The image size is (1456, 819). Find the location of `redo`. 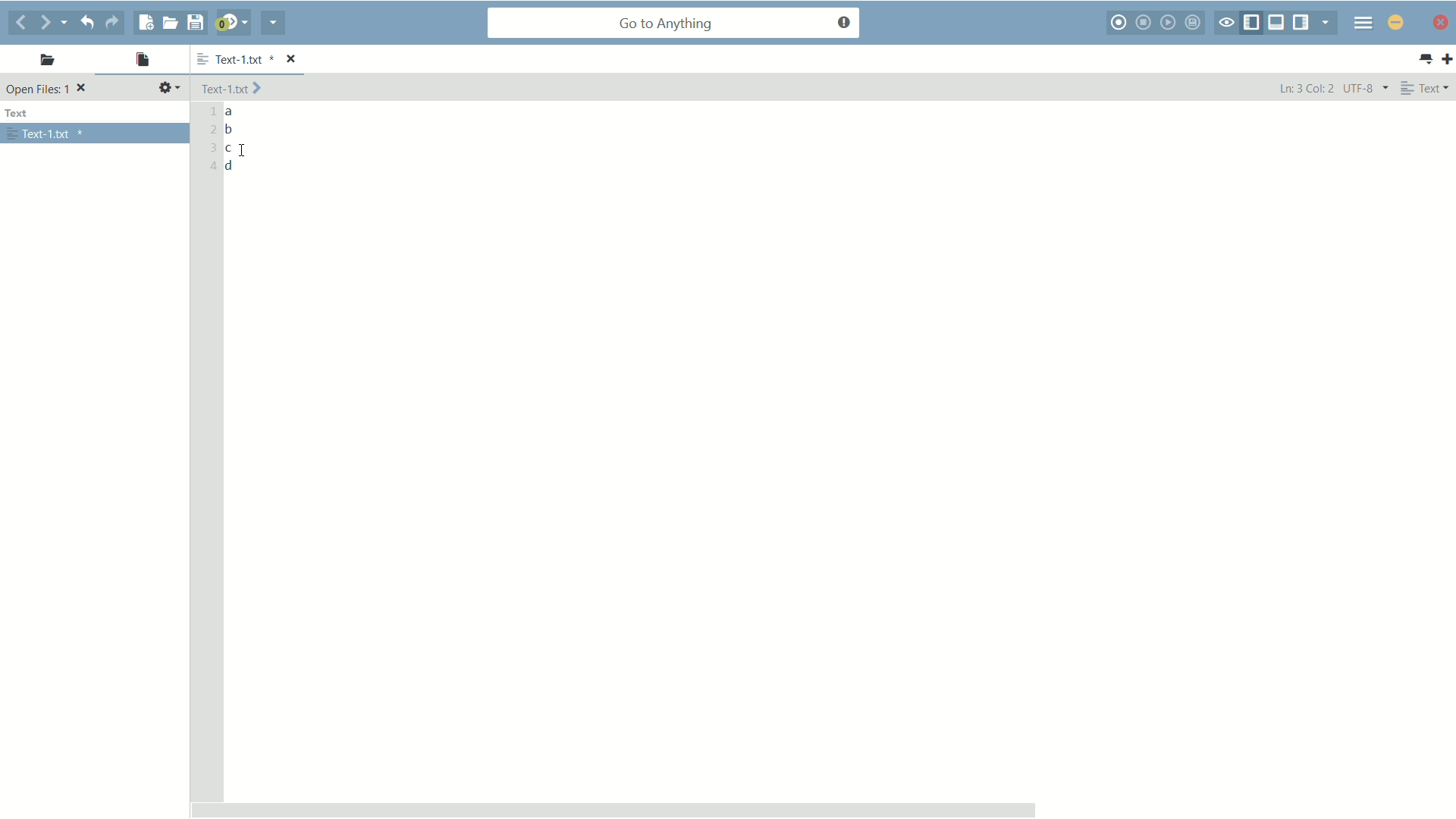

redo is located at coordinates (117, 23).